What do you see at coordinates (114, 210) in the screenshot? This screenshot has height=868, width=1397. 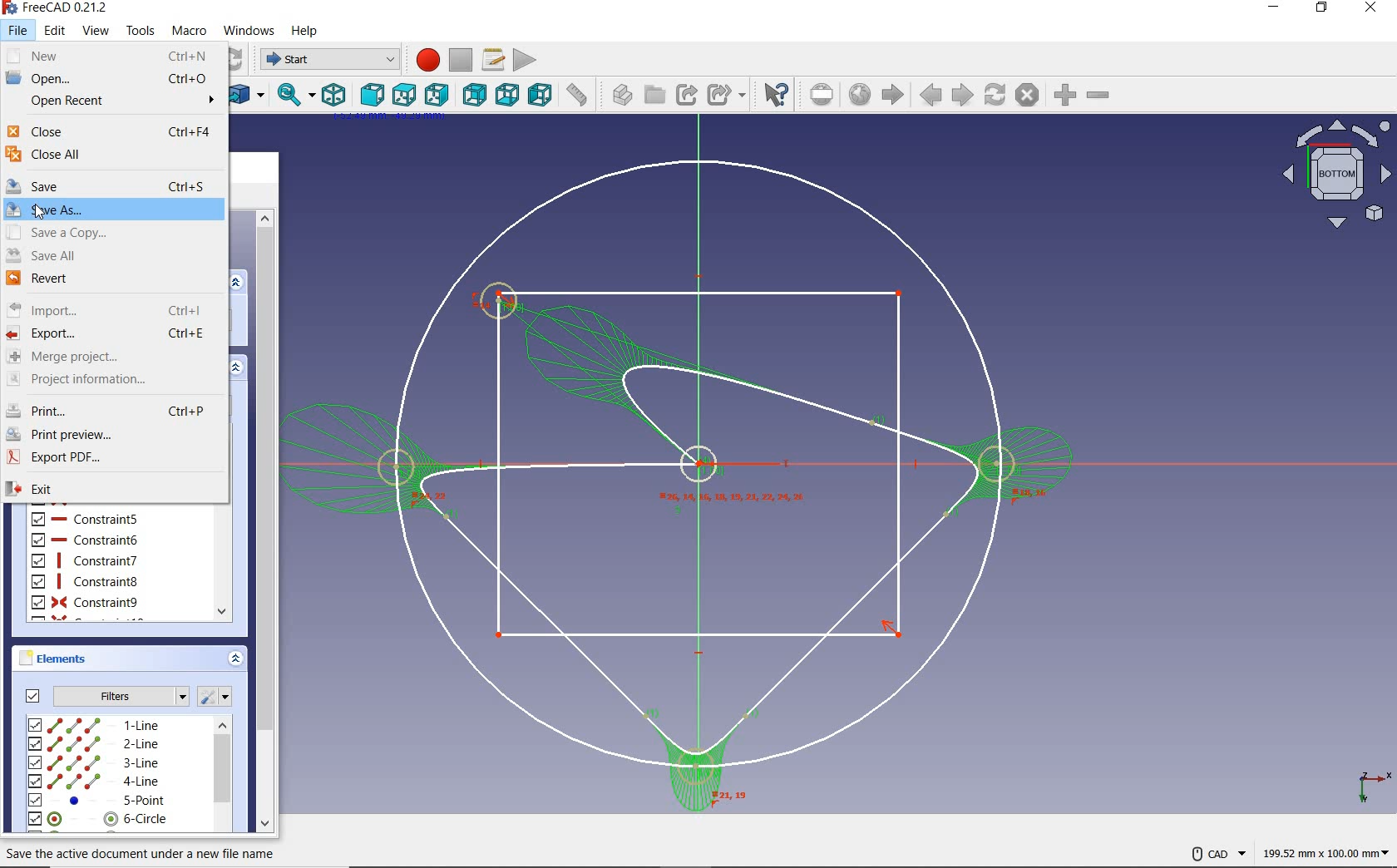 I see `save as` at bounding box center [114, 210].